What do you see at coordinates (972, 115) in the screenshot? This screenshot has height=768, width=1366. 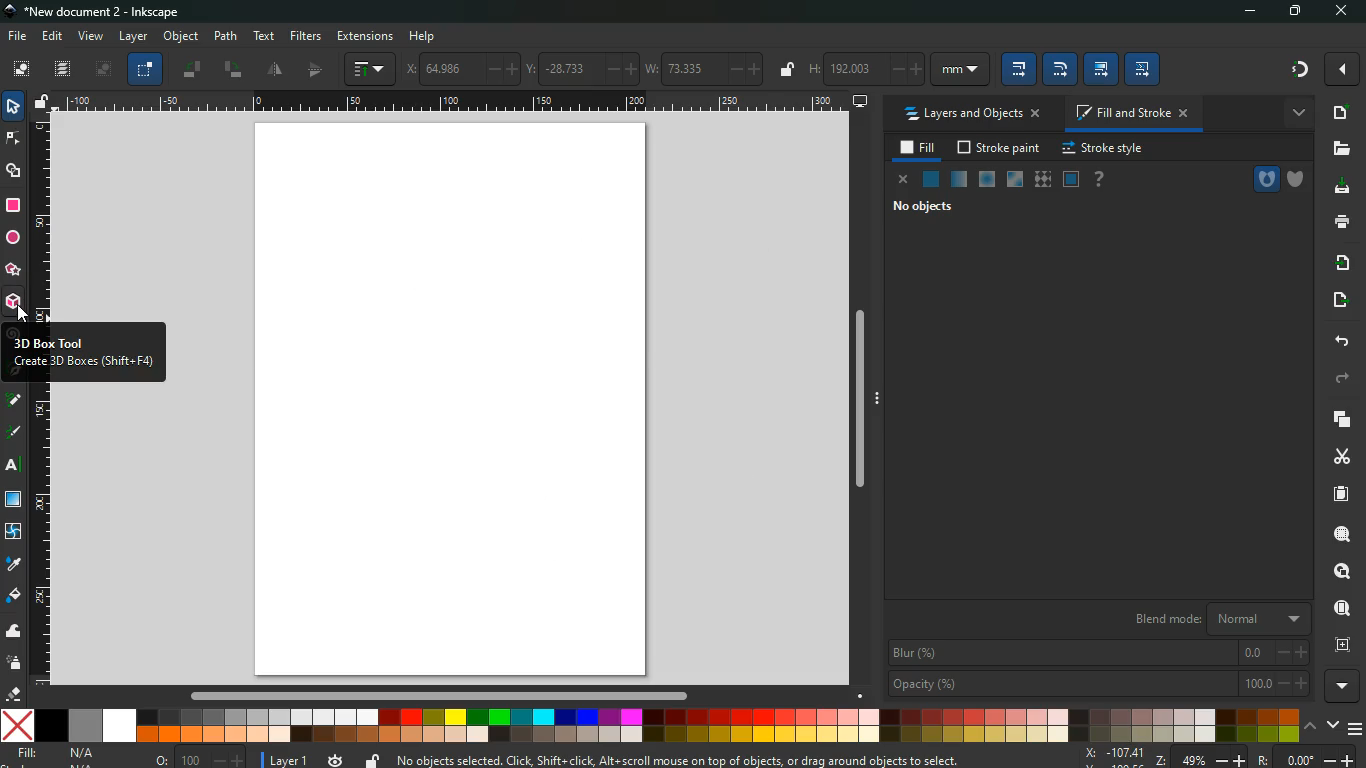 I see `layers and objects` at bounding box center [972, 115].